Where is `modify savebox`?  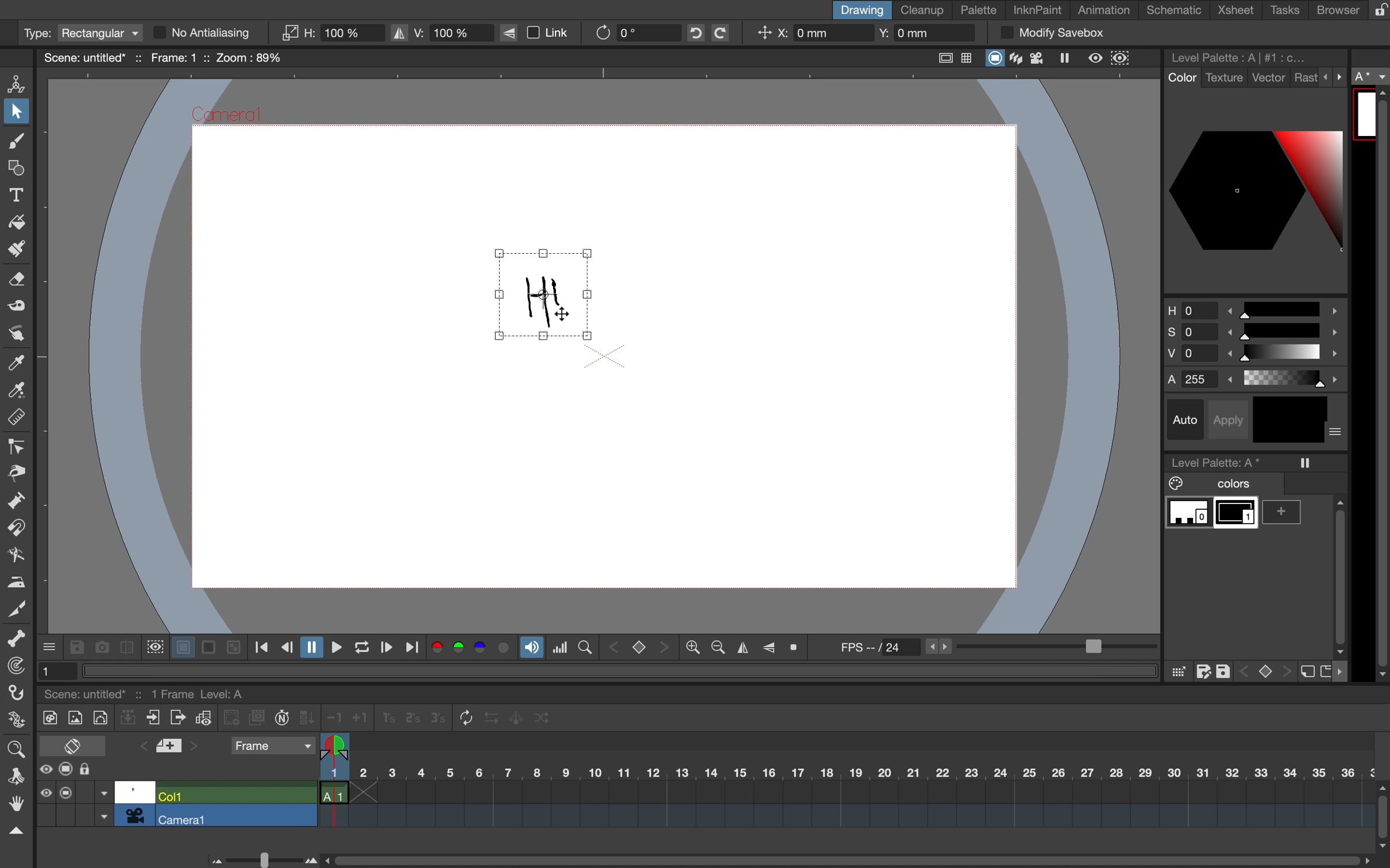 modify savebox is located at coordinates (1052, 33).